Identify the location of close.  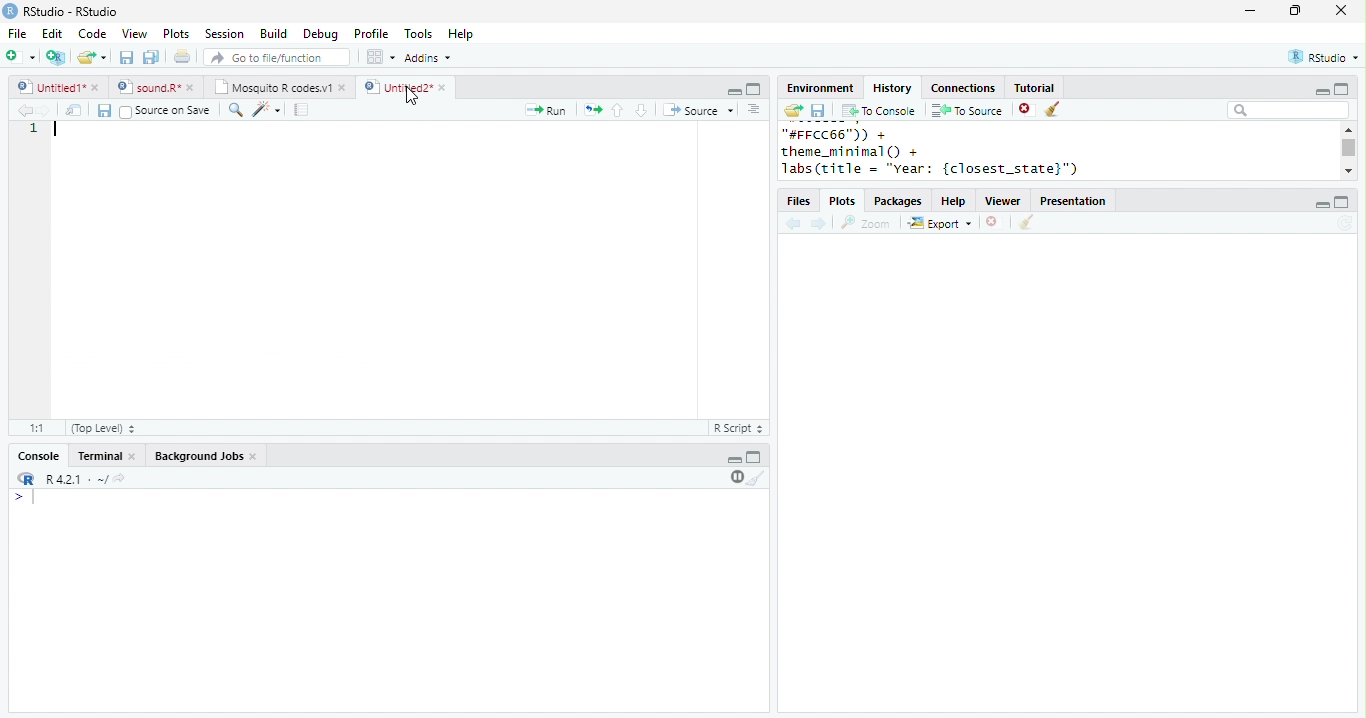
(194, 87).